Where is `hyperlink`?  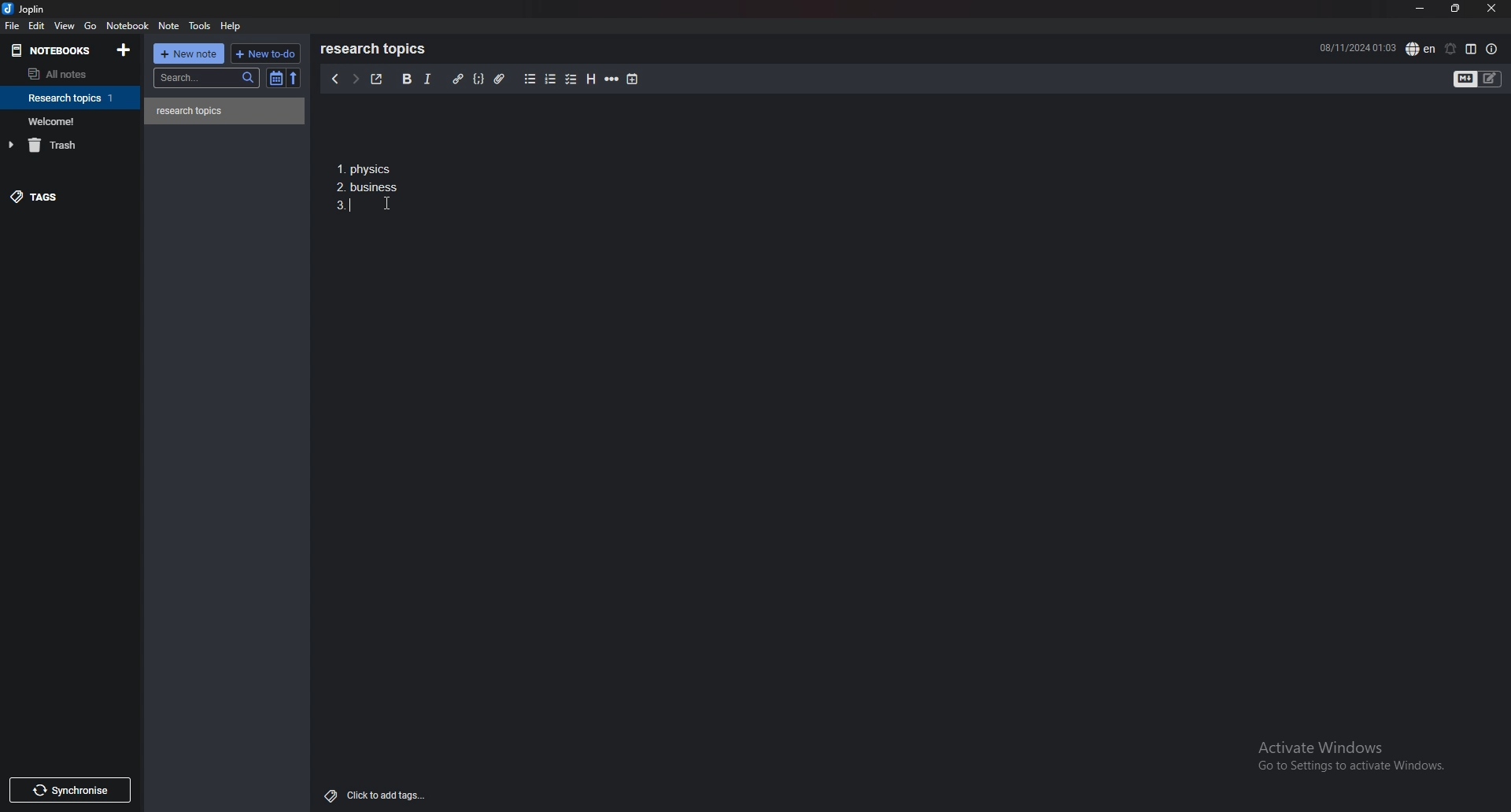 hyperlink is located at coordinates (457, 79).